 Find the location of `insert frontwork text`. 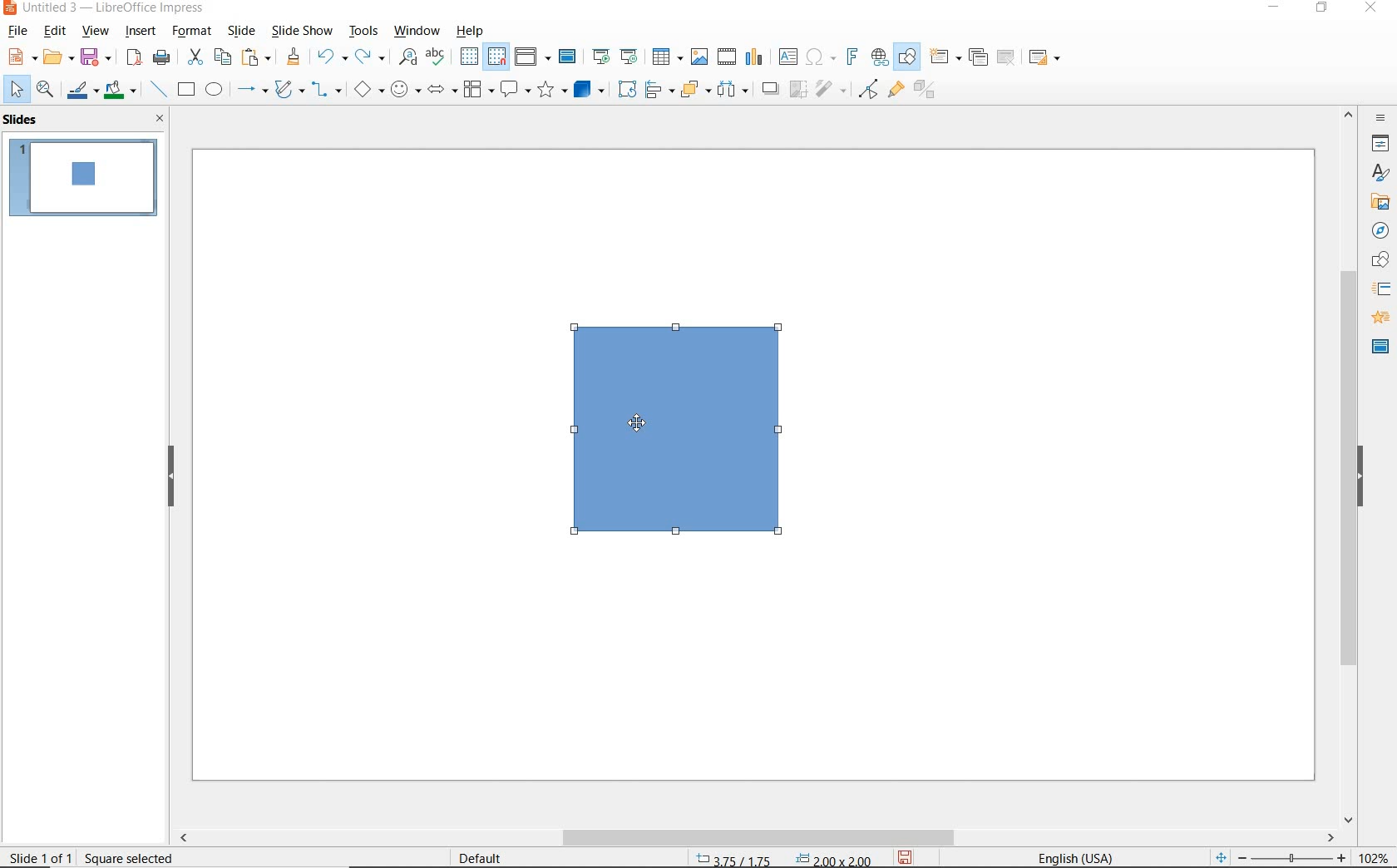

insert frontwork text is located at coordinates (852, 57).